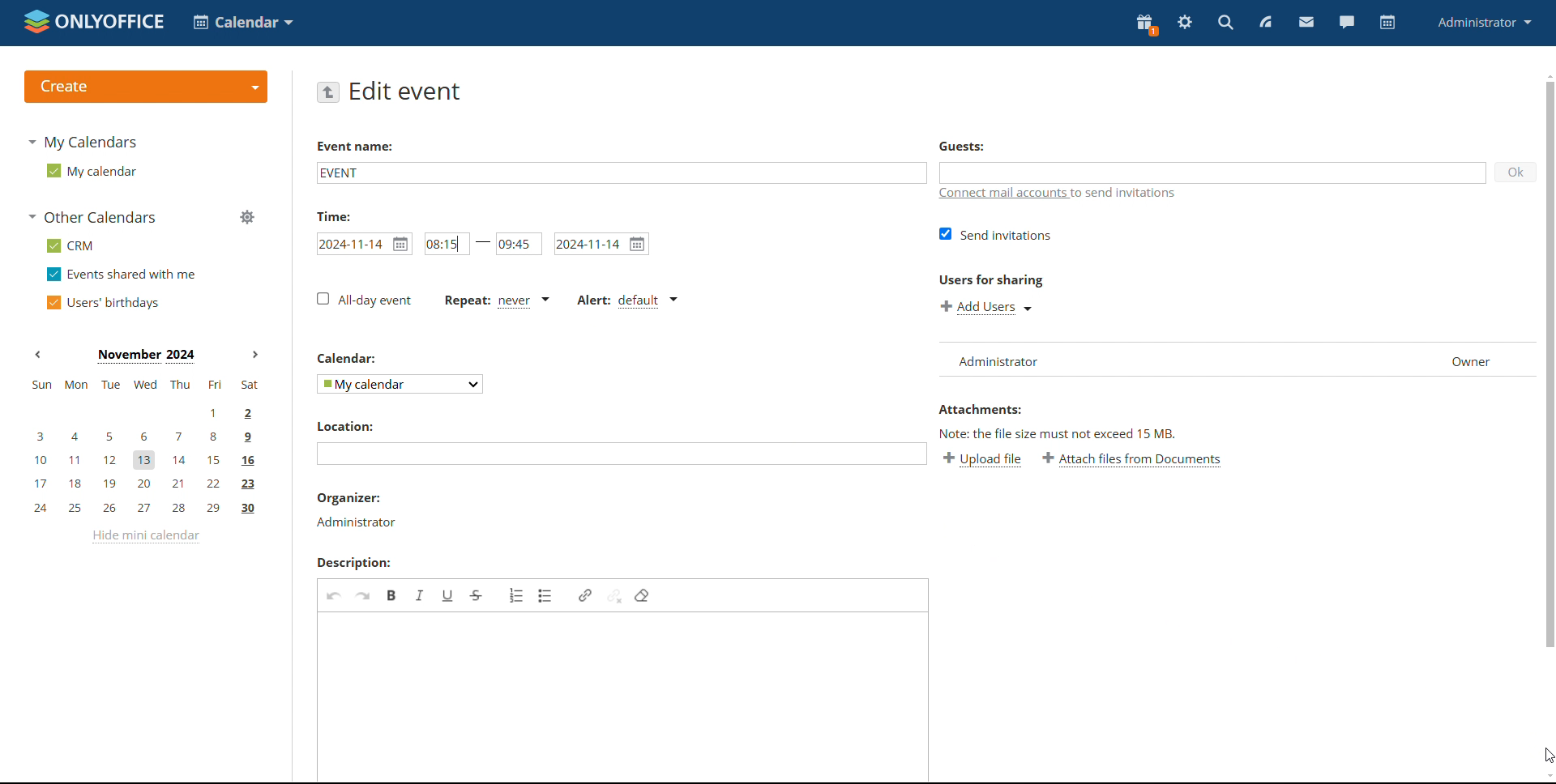  Describe the element at coordinates (1185, 24) in the screenshot. I see `settings` at that location.